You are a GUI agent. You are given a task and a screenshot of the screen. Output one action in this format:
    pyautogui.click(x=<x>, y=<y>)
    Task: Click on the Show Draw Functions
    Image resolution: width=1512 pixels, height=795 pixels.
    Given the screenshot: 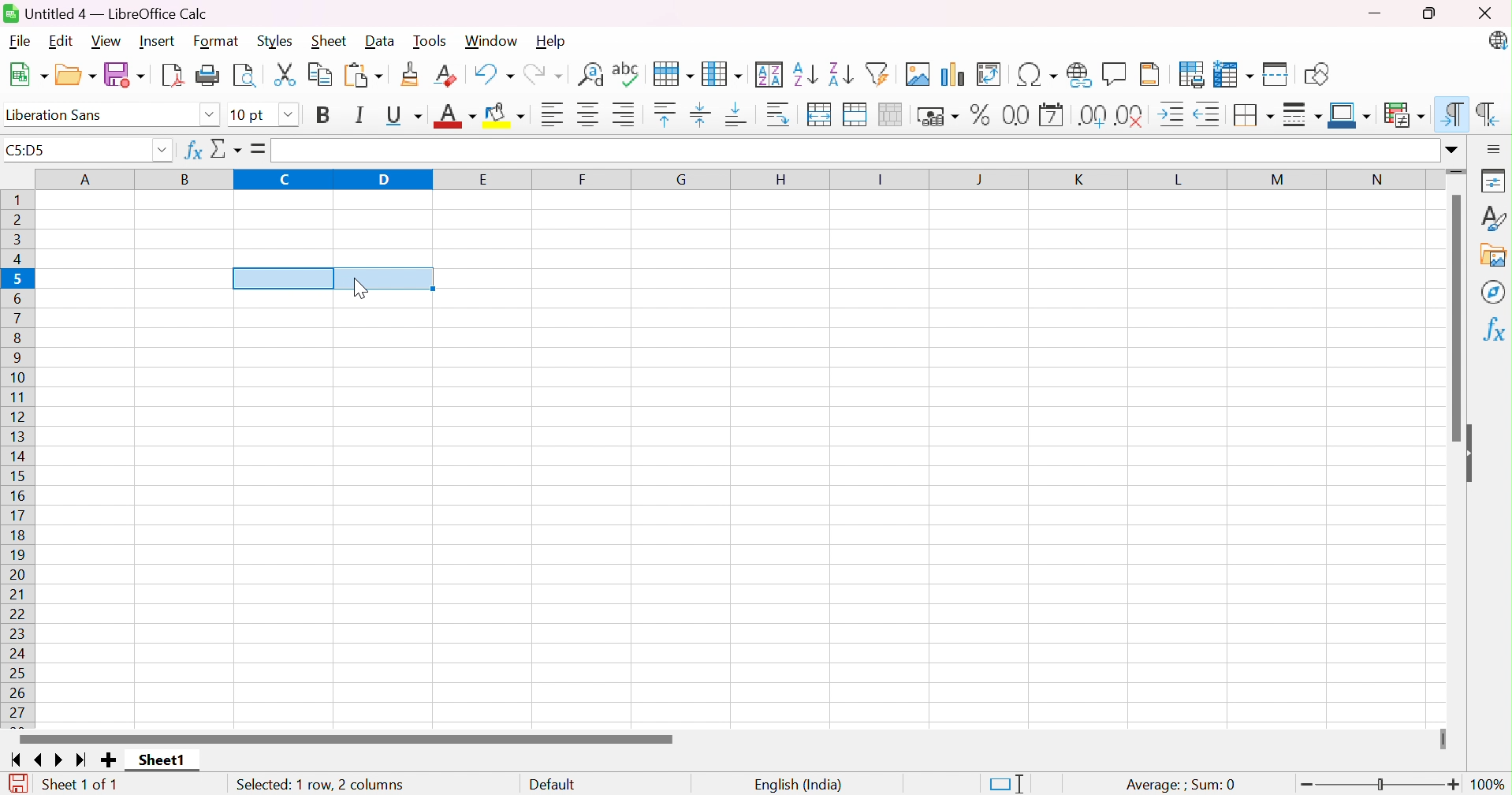 What is the action you would take?
    pyautogui.click(x=1315, y=73)
    